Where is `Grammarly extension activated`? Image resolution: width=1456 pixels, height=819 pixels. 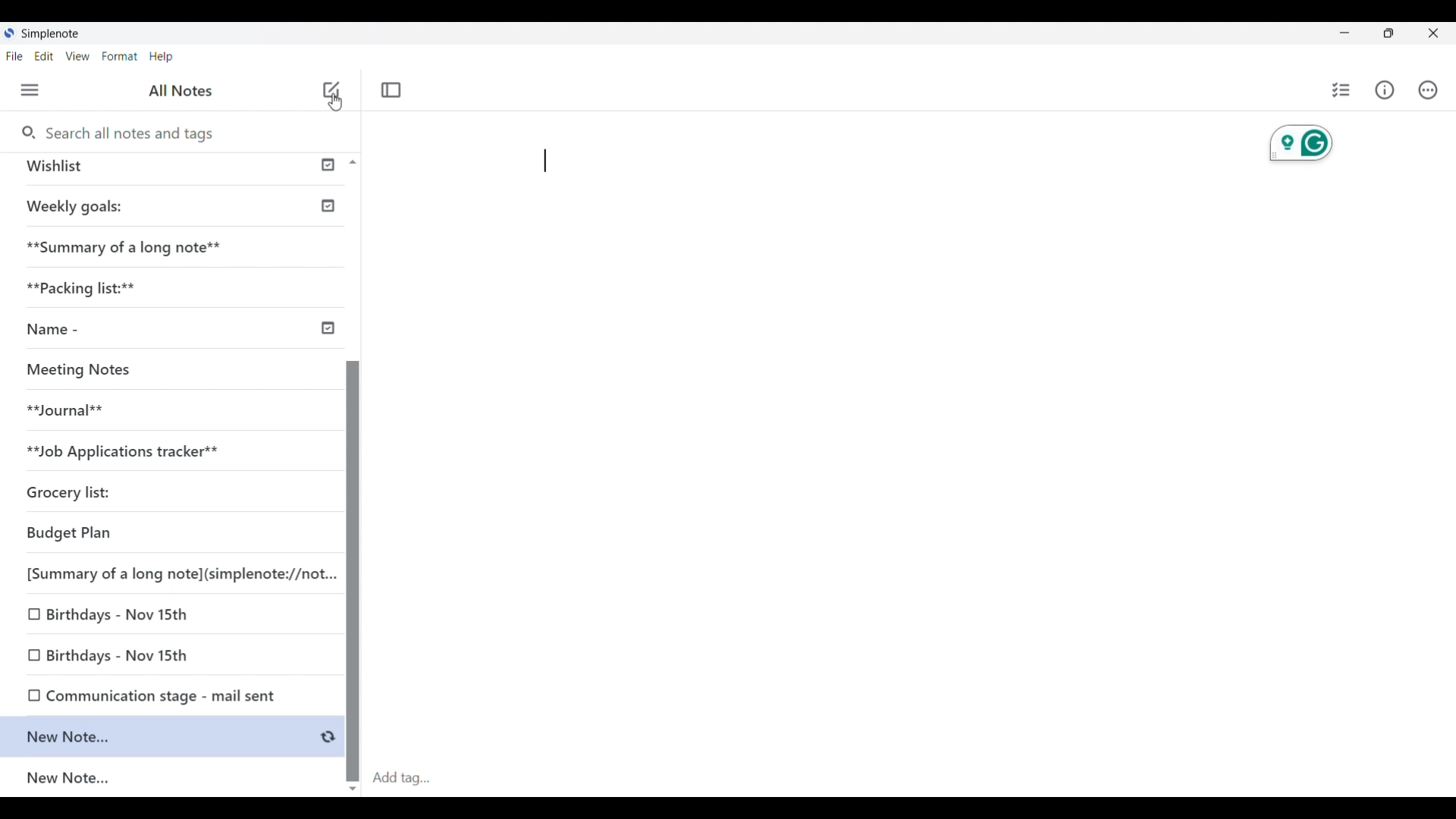
Grammarly extension activated is located at coordinates (1301, 143).